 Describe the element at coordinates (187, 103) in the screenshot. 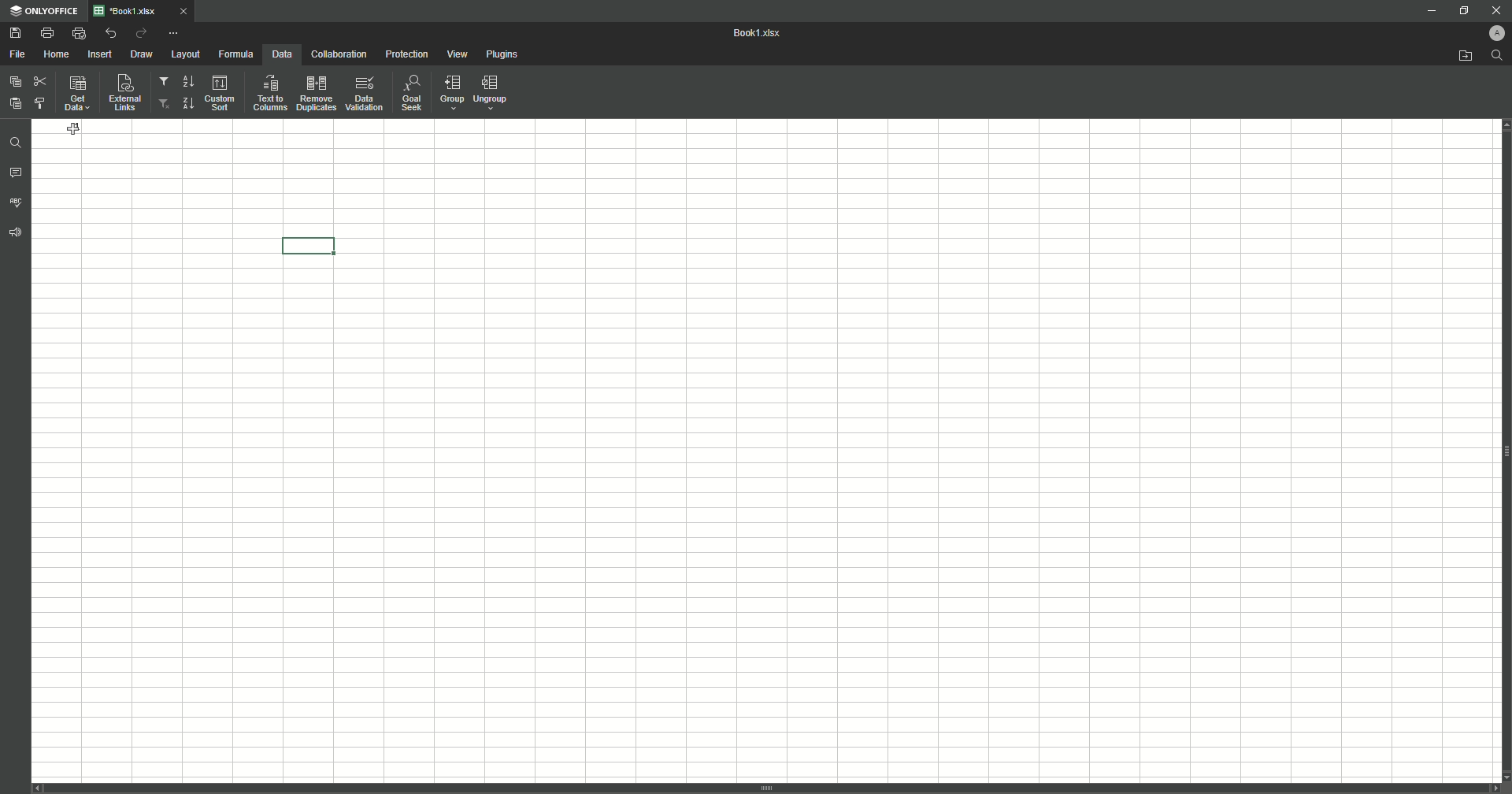

I see `Sort Up` at that location.